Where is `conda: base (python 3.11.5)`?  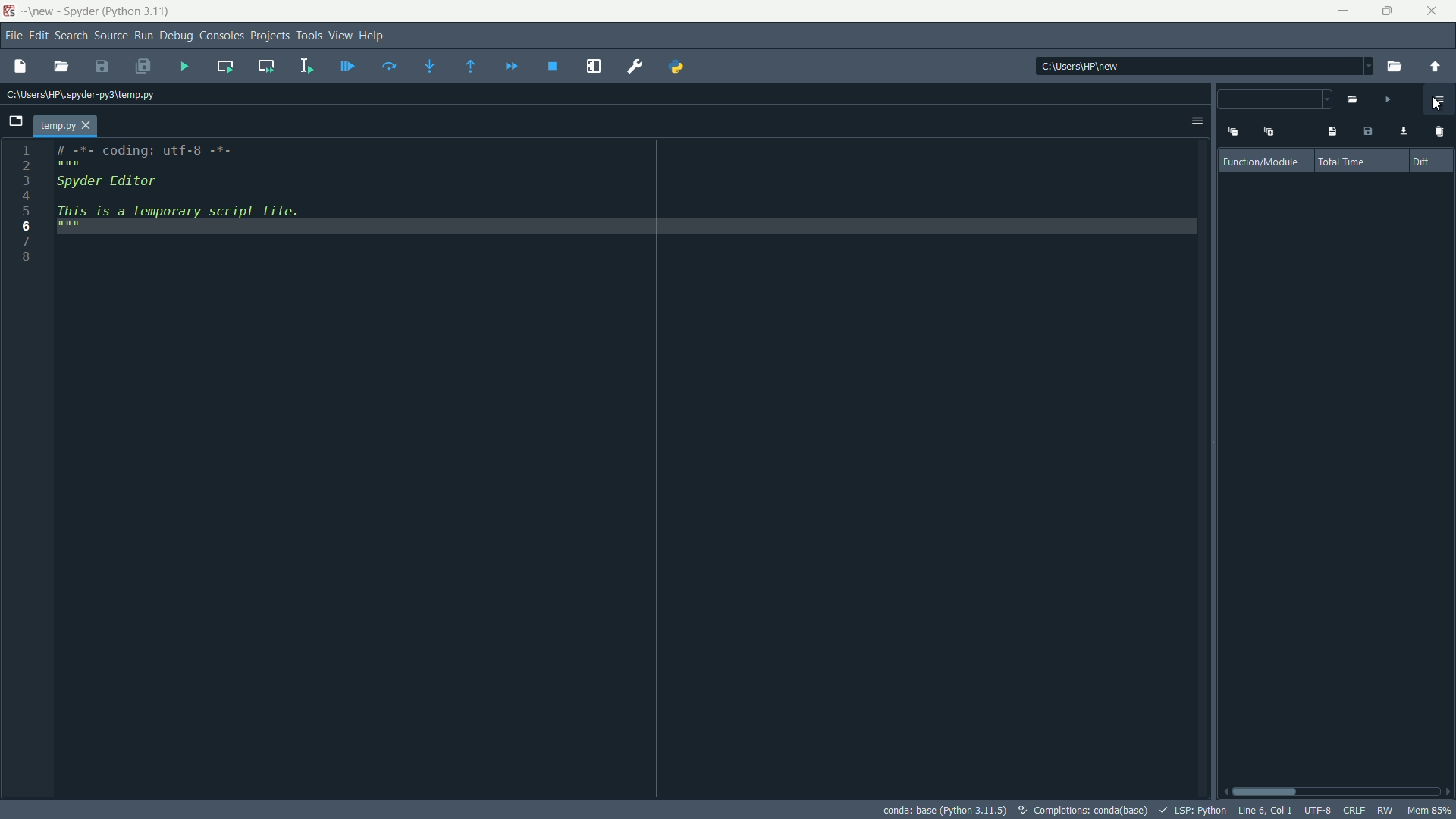 conda: base (python 3.11.5) is located at coordinates (943, 810).